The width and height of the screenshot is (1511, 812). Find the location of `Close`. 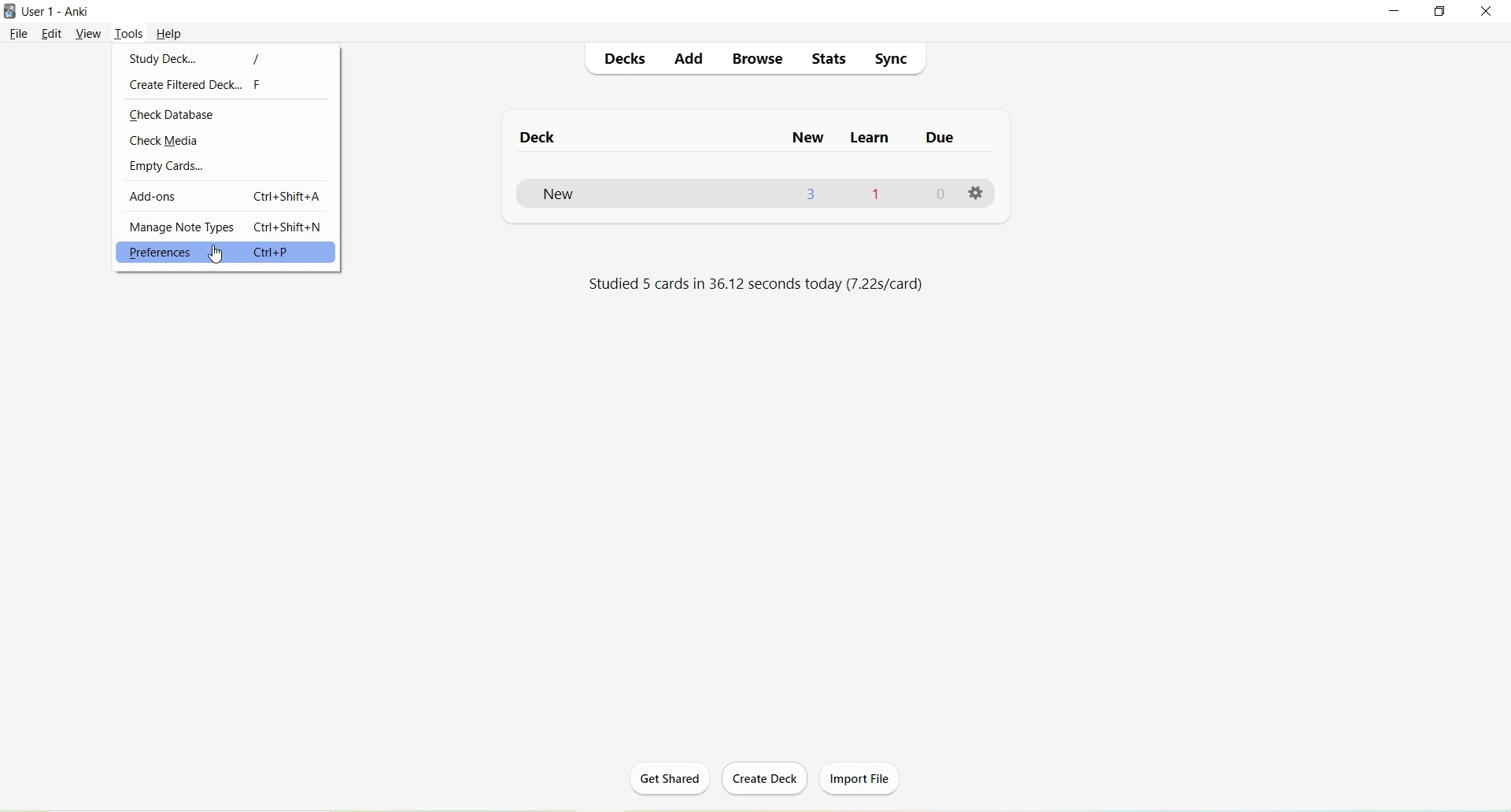

Close is located at coordinates (1490, 12).